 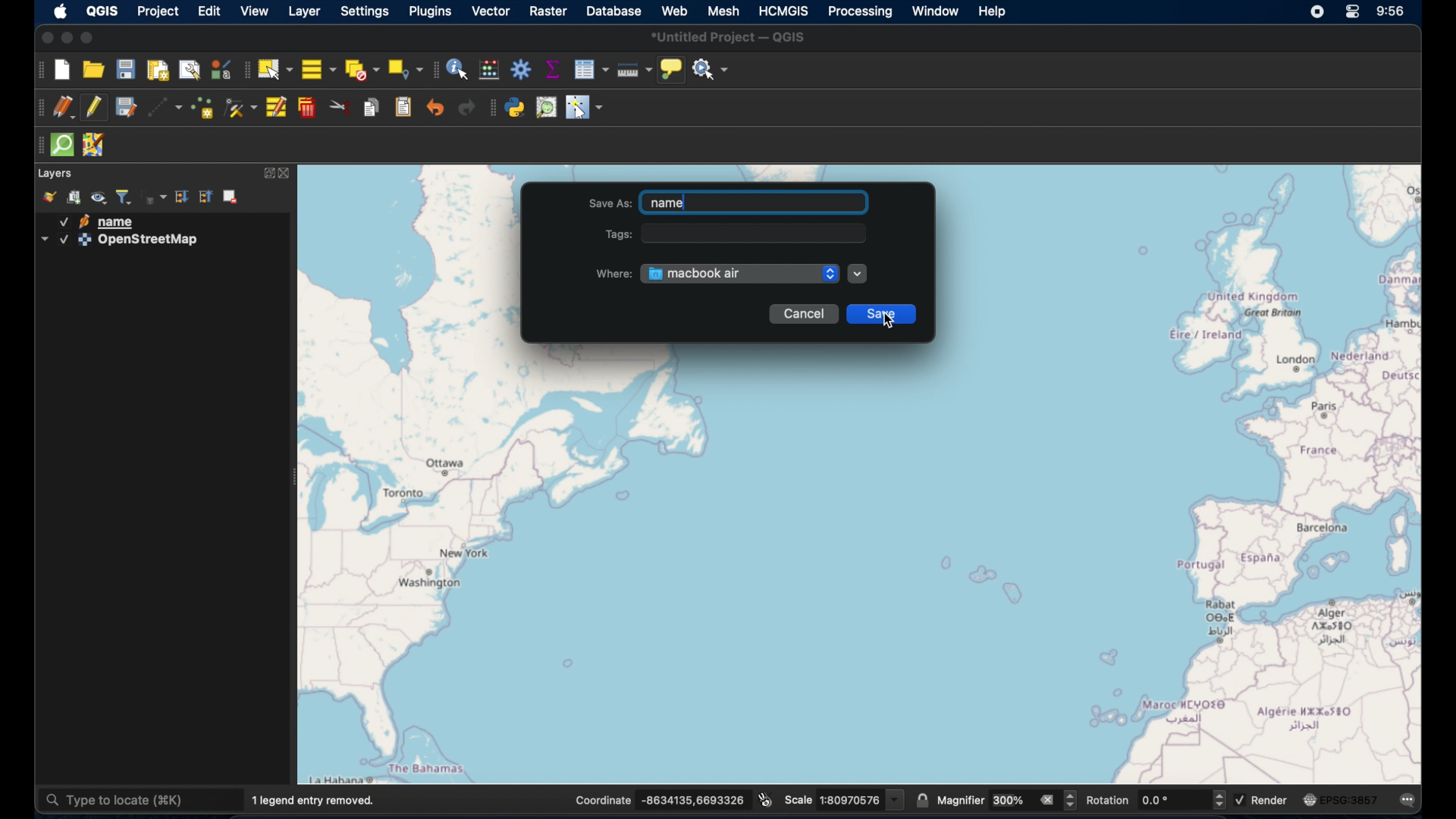 I want to click on identify features, so click(x=459, y=70).